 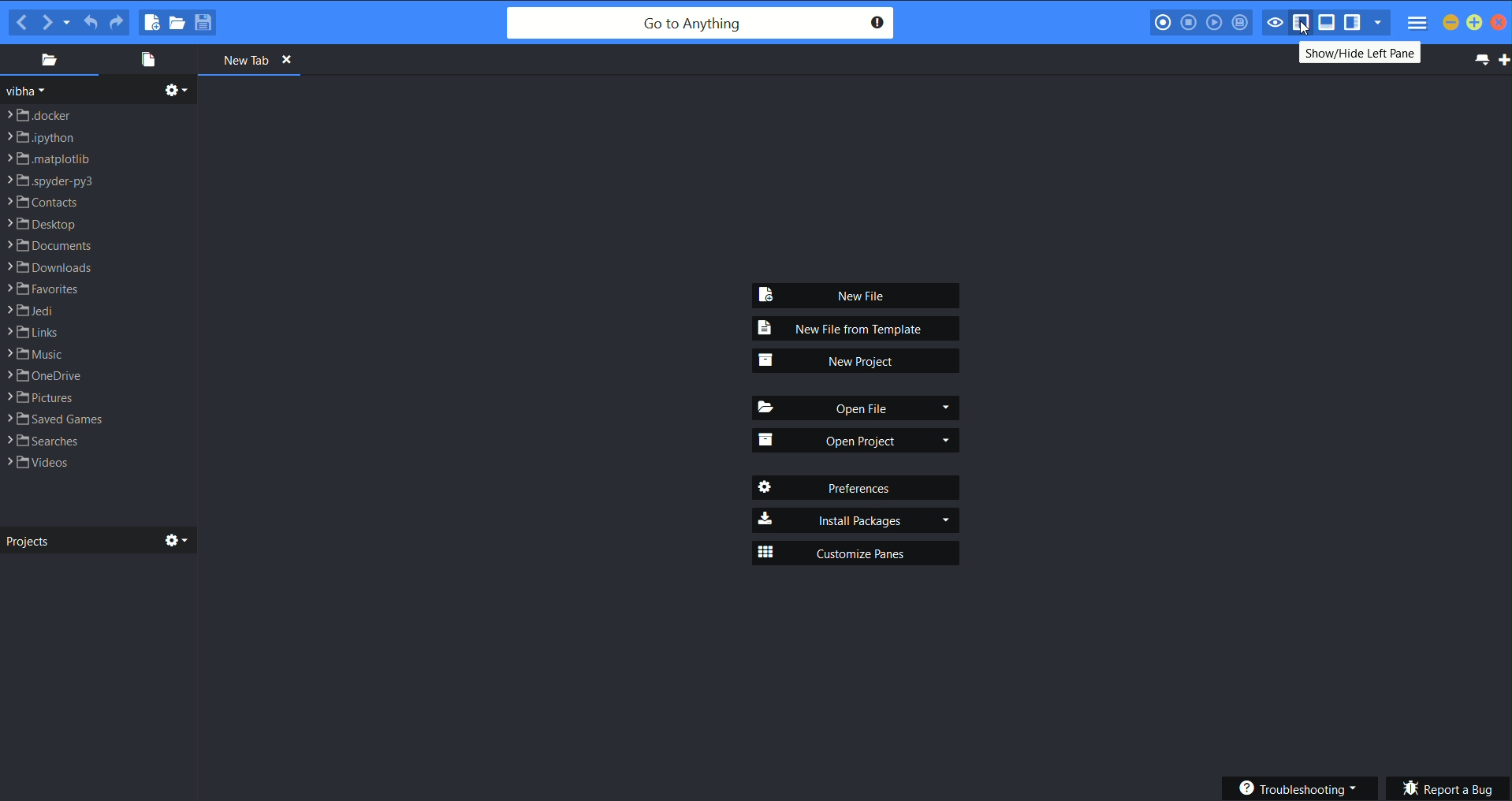 I want to click on links, so click(x=32, y=332).